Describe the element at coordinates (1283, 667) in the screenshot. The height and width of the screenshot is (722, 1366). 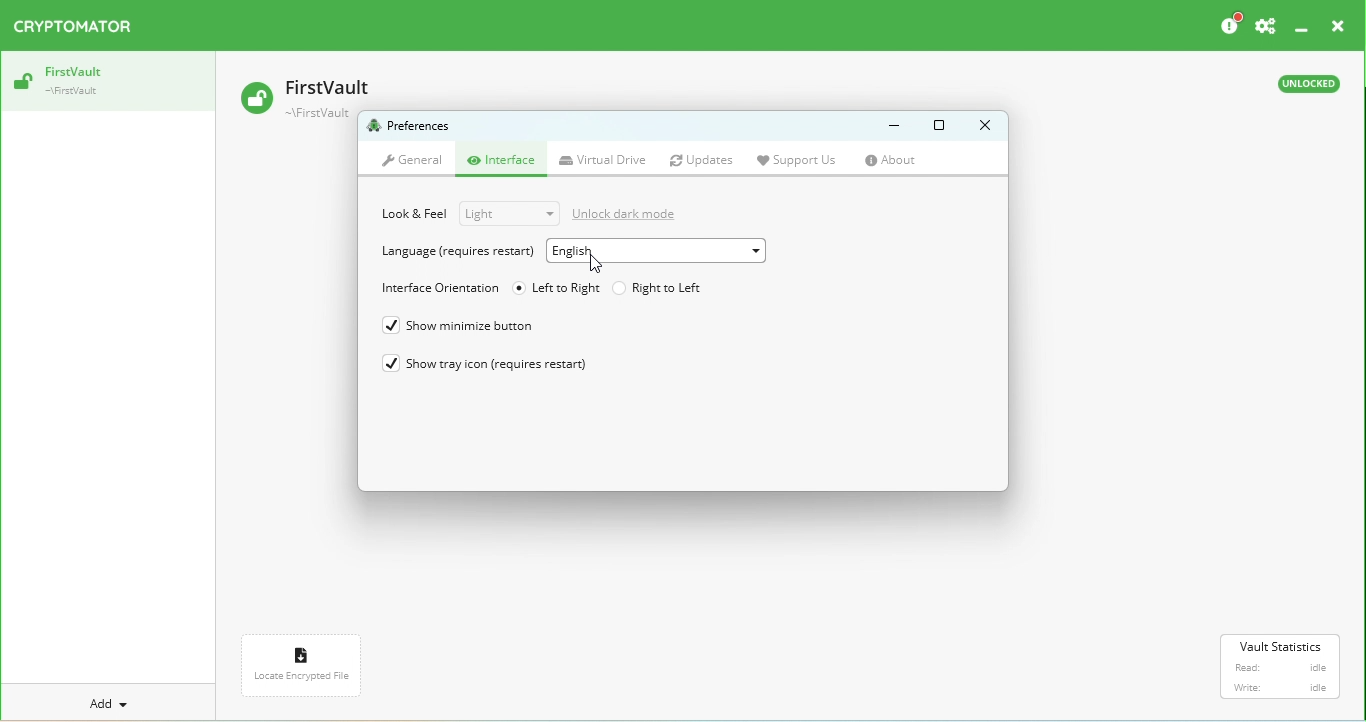
I see `Vault statistics` at that location.